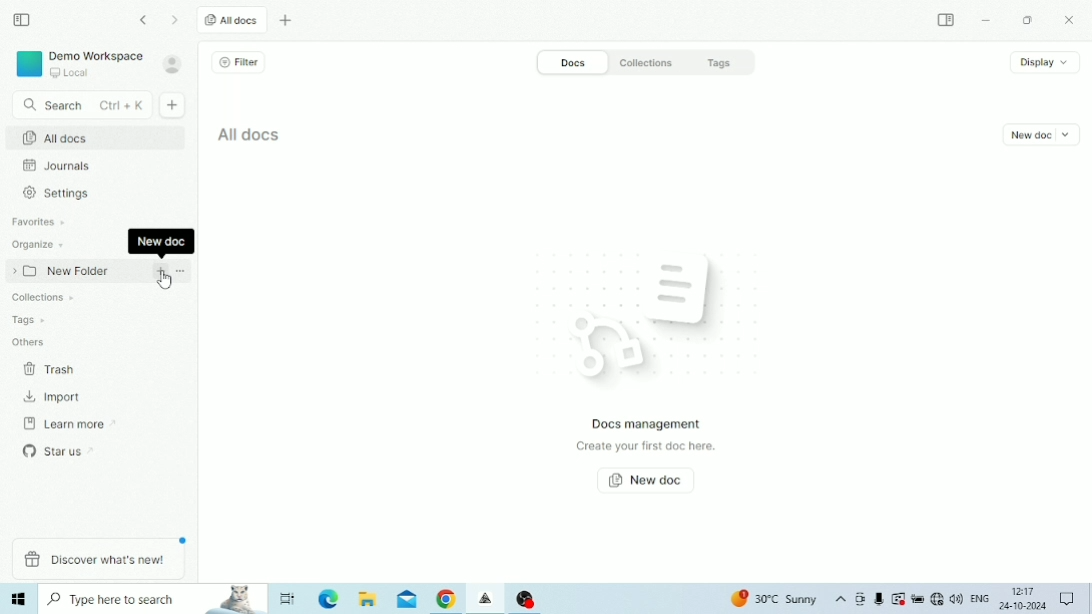 The width and height of the screenshot is (1092, 614). Describe the element at coordinates (446, 600) in the screenshot. I see `Google Chrome` at that location.